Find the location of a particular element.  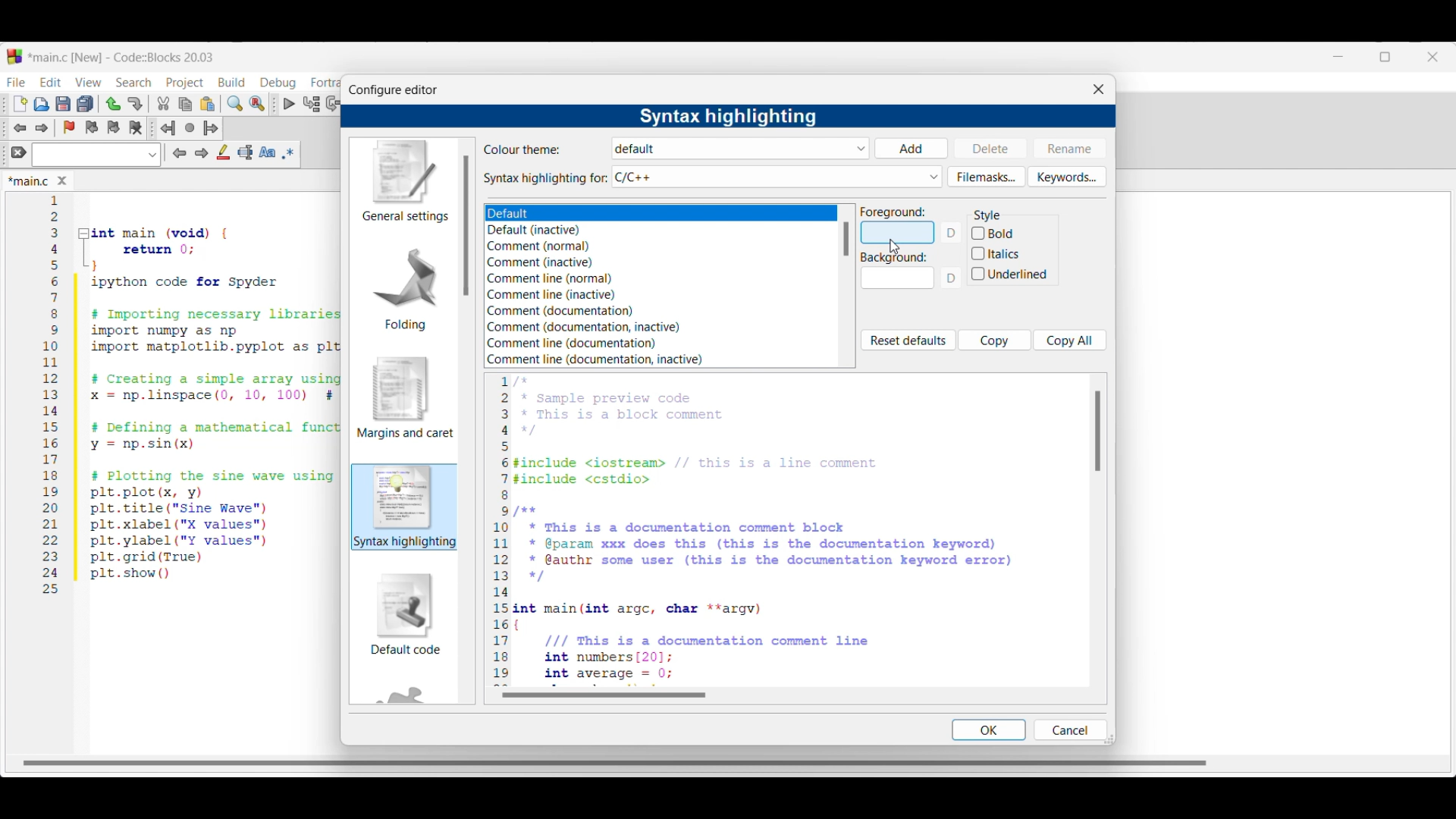

Add is located at coordinates (911, 149).